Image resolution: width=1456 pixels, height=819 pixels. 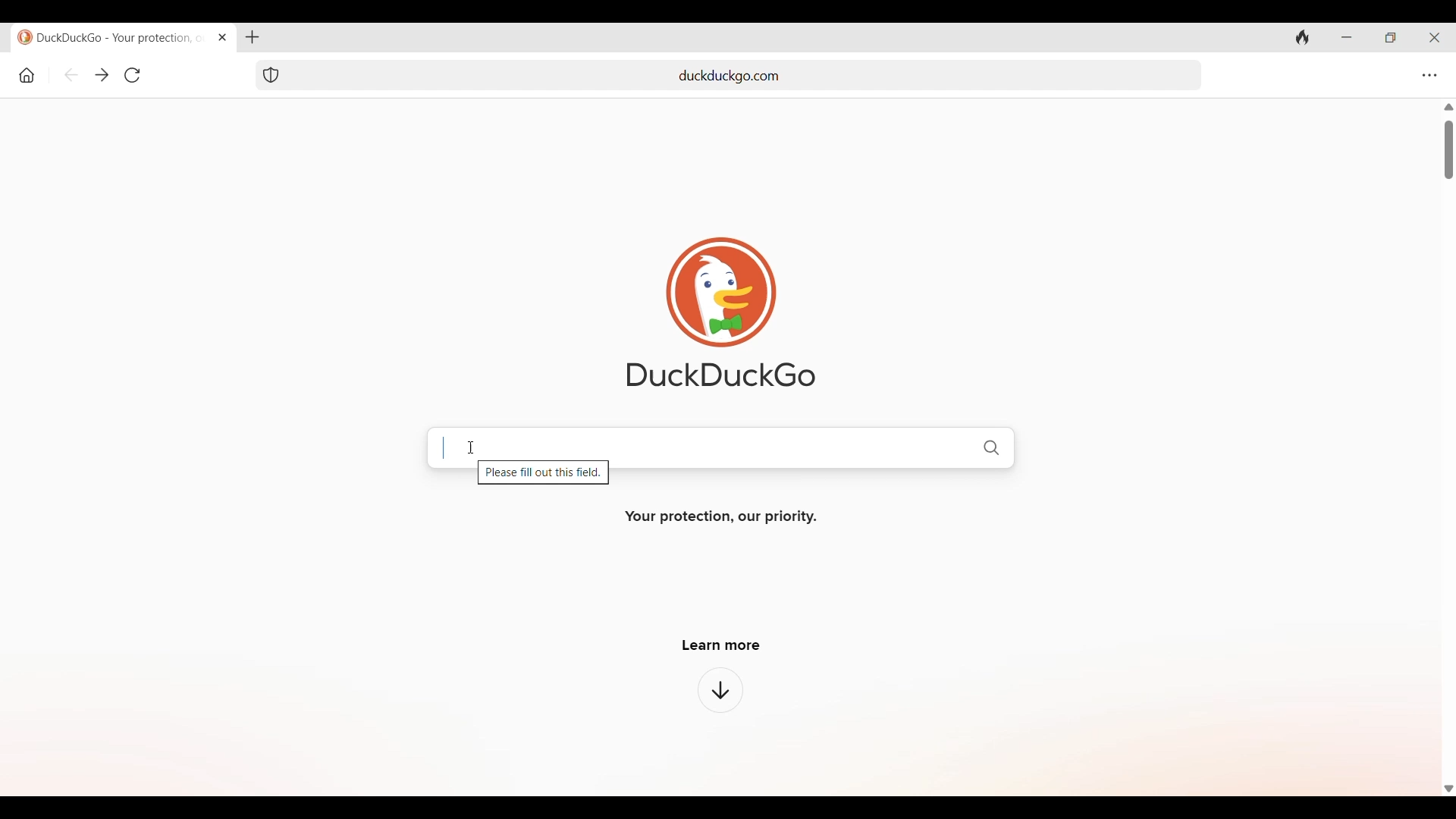 I want to click on Your protection, our priority., so click(x=721, y=517).